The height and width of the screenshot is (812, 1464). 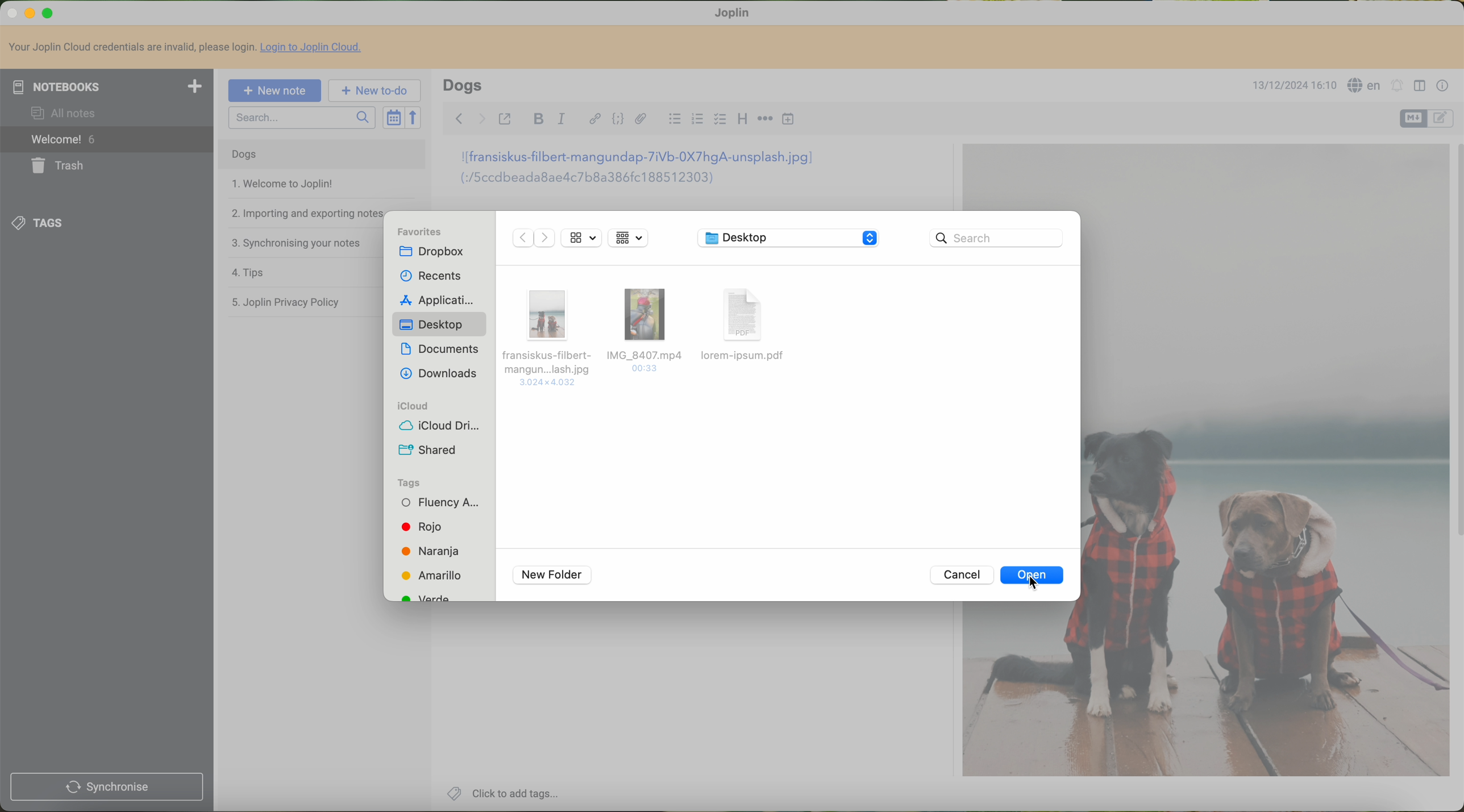 I want to click on dropbox, so click(x=439, y=252).